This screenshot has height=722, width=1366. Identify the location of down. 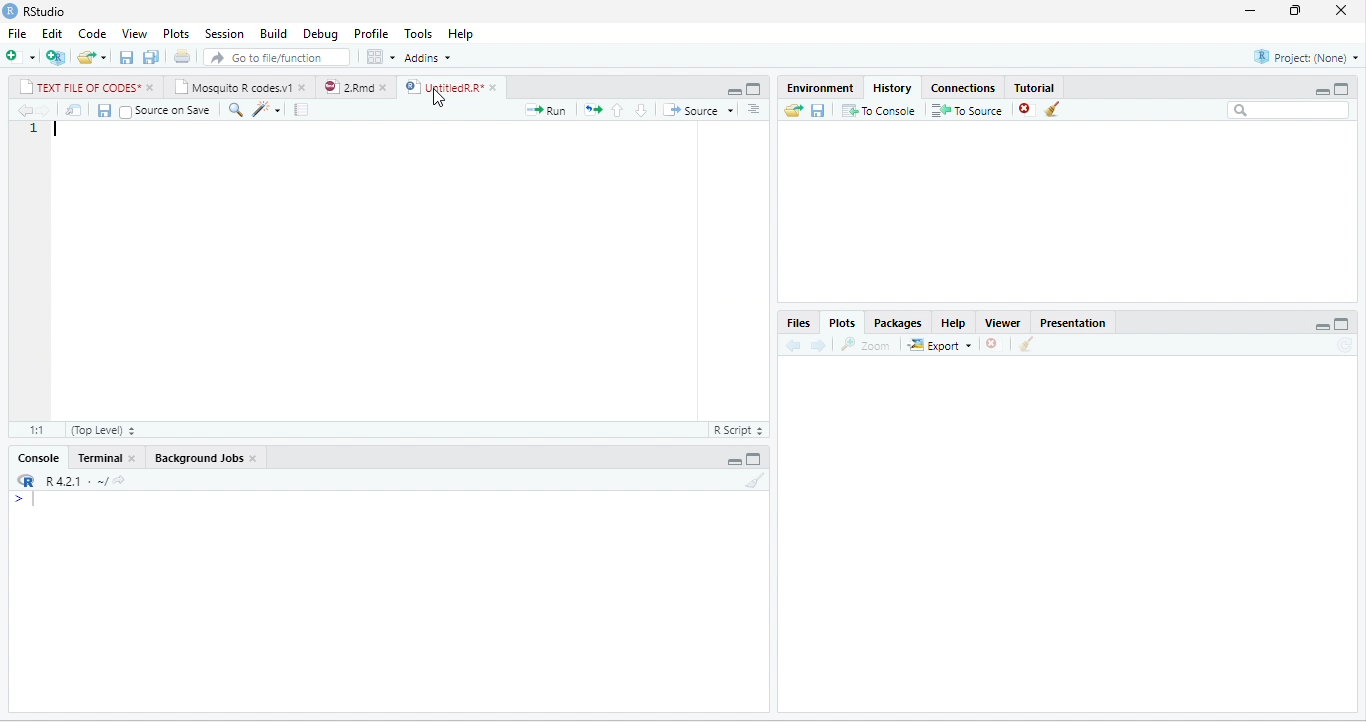
(757, 112).